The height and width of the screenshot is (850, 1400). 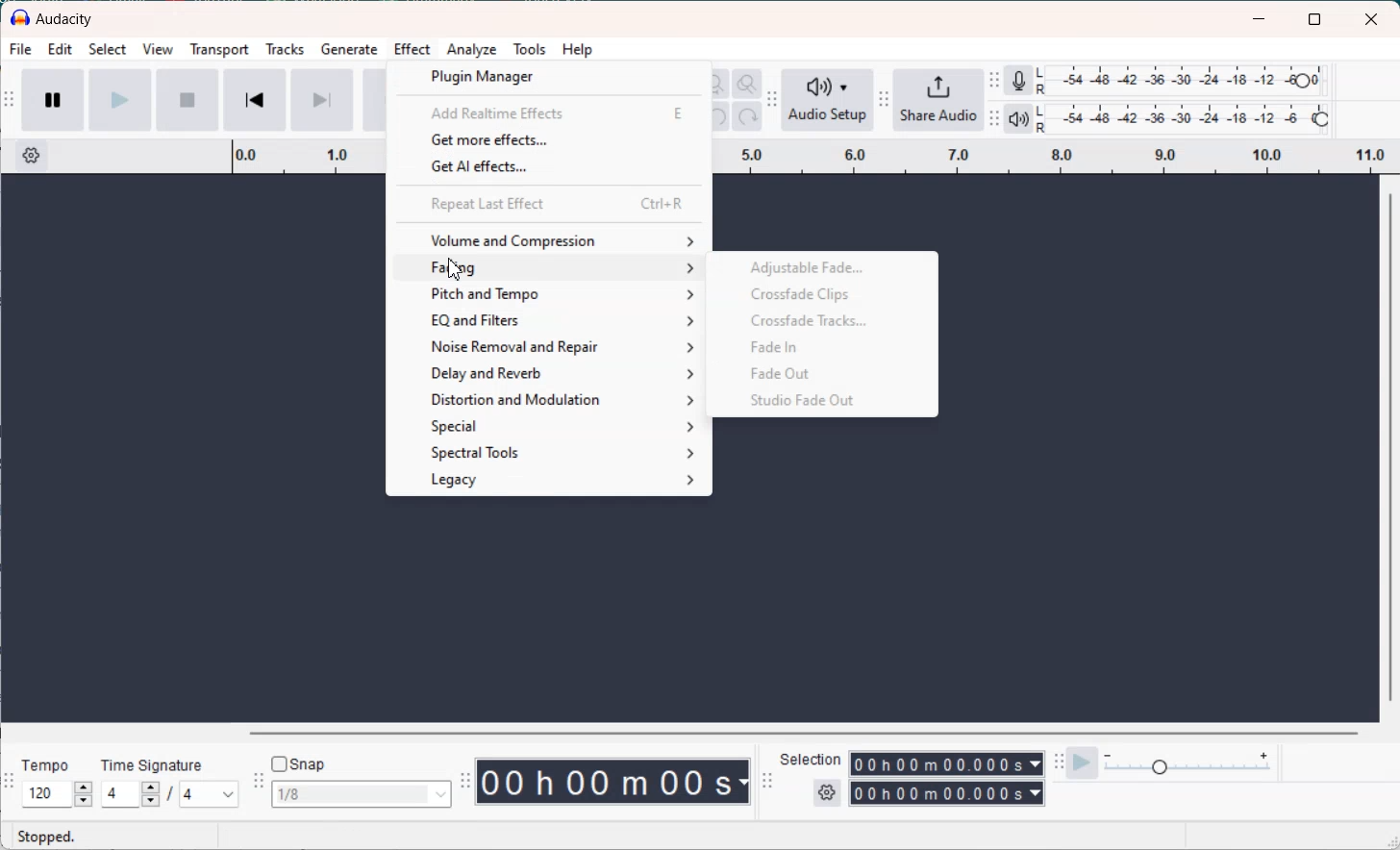 I want to click on Special, so click(x=552, y=426).